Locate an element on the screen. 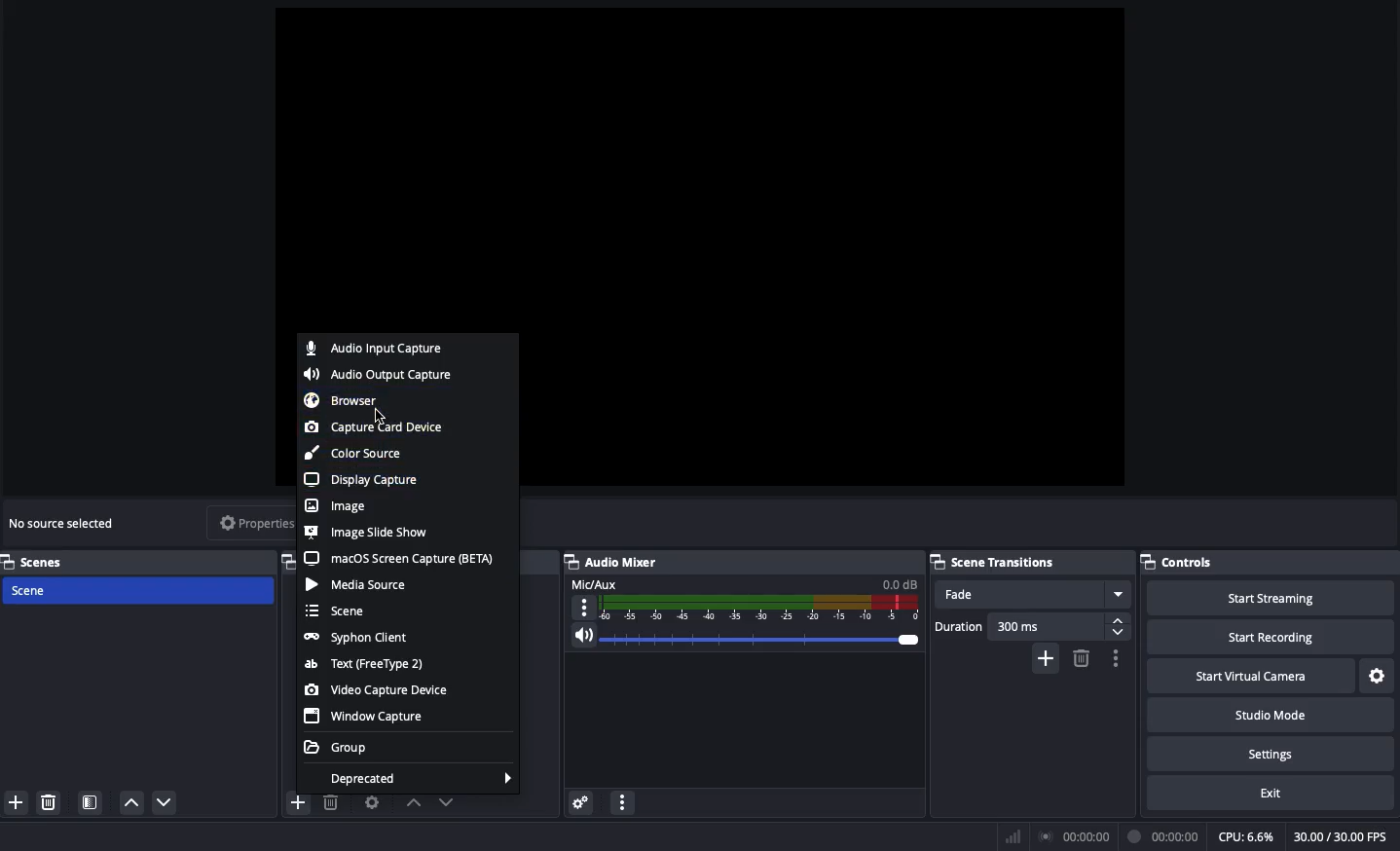  Window capture is located at coordinates (367, 718).